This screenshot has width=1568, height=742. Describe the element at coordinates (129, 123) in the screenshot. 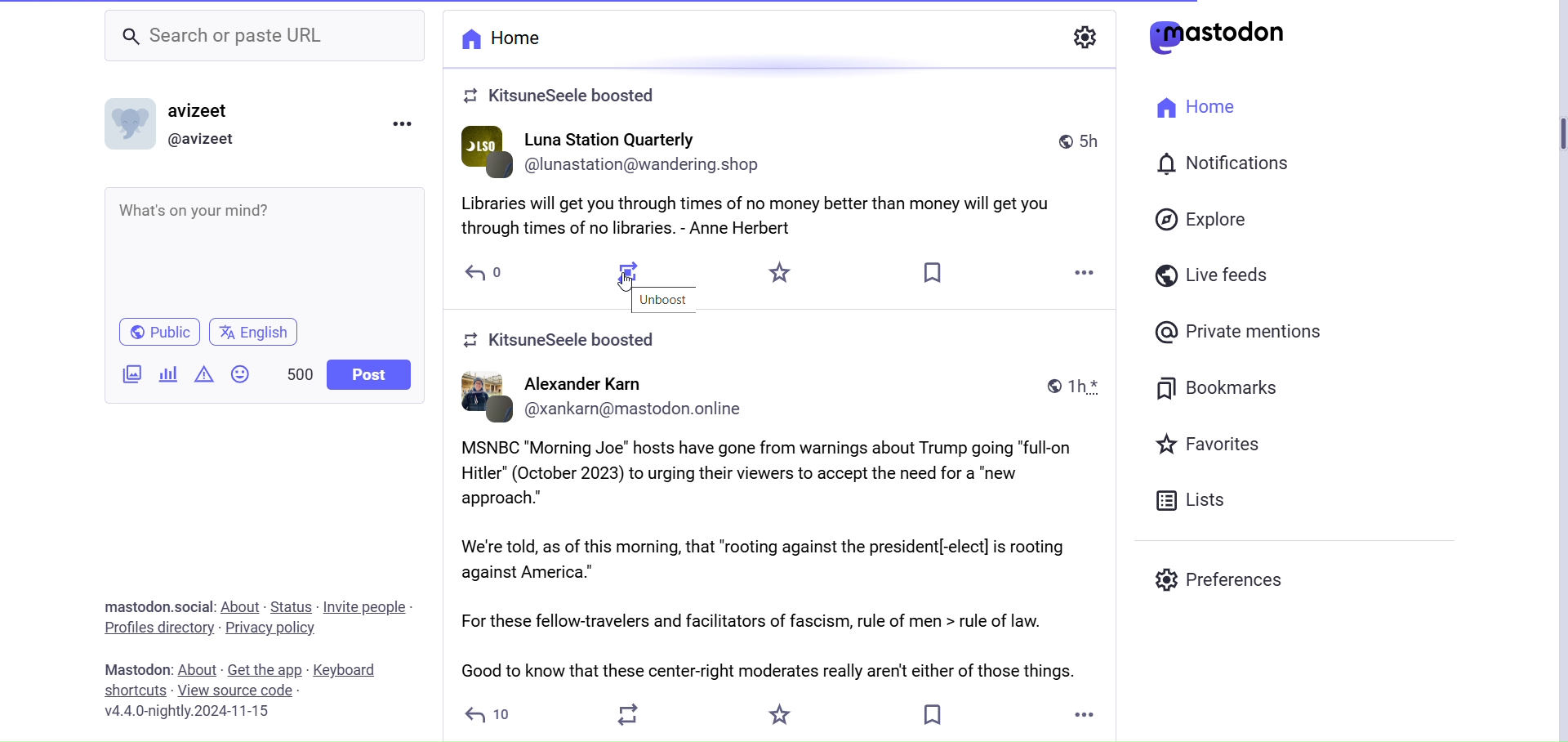

I see `Profile` at that location.